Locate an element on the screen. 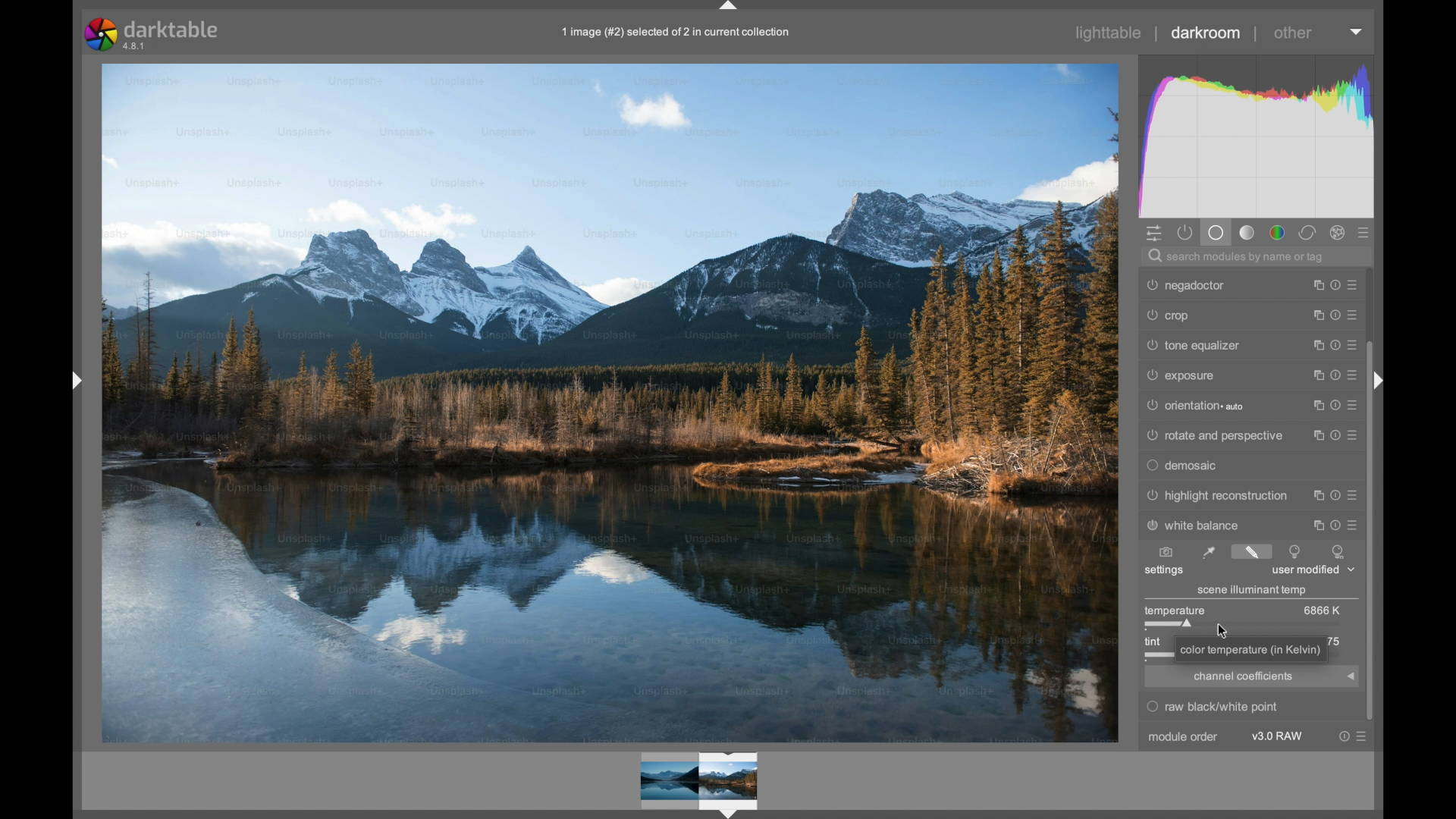 The image size is (1456, 819). reset parameter is located at coordinates (1344, 736).